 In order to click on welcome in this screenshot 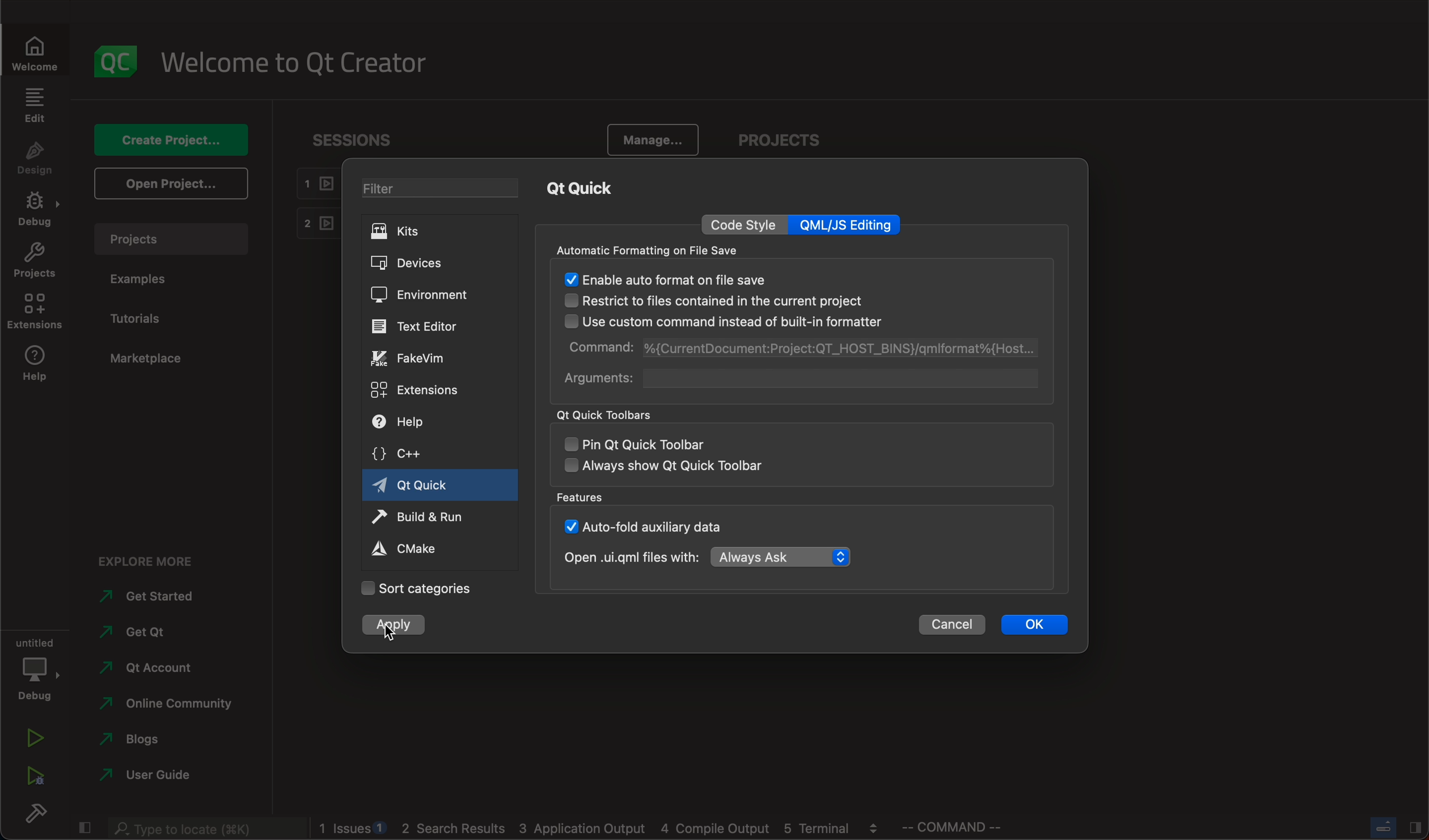, I will do `click(297, 63)`.